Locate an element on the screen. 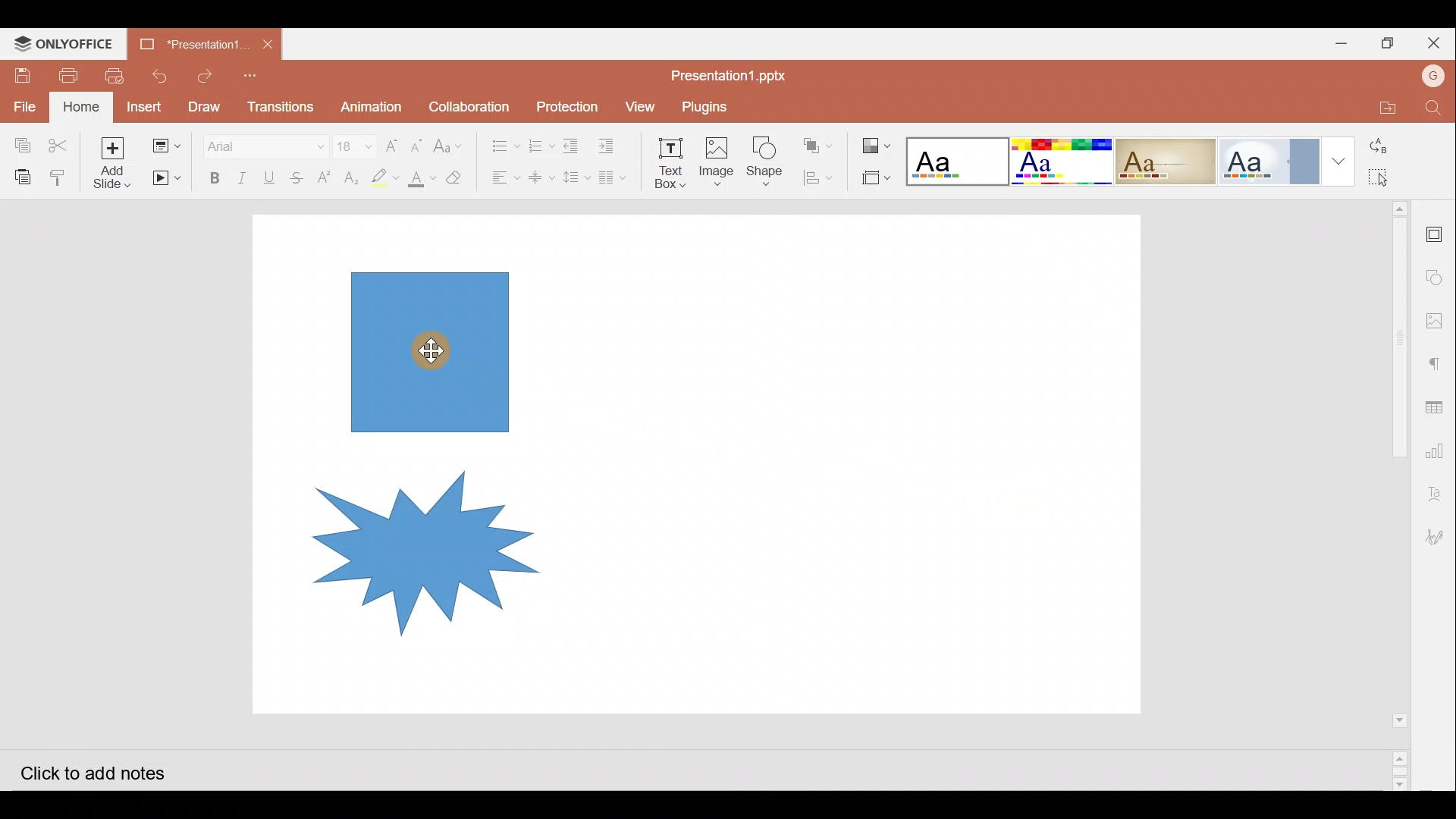  Close is located at coordinates (1436, 42).